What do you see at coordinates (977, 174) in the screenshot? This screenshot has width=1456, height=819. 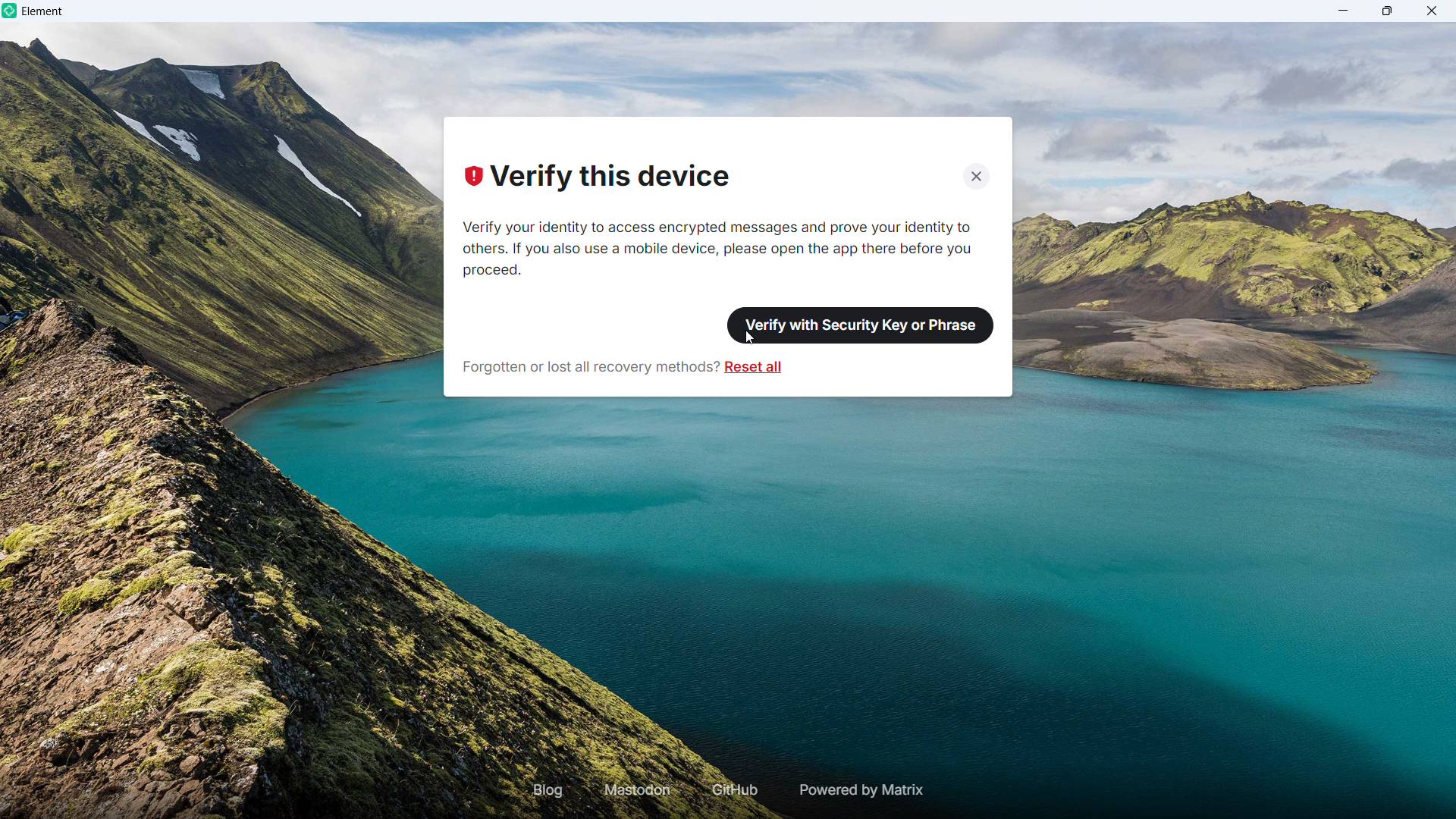 I see `Close ` at bounding box center [977, 174].